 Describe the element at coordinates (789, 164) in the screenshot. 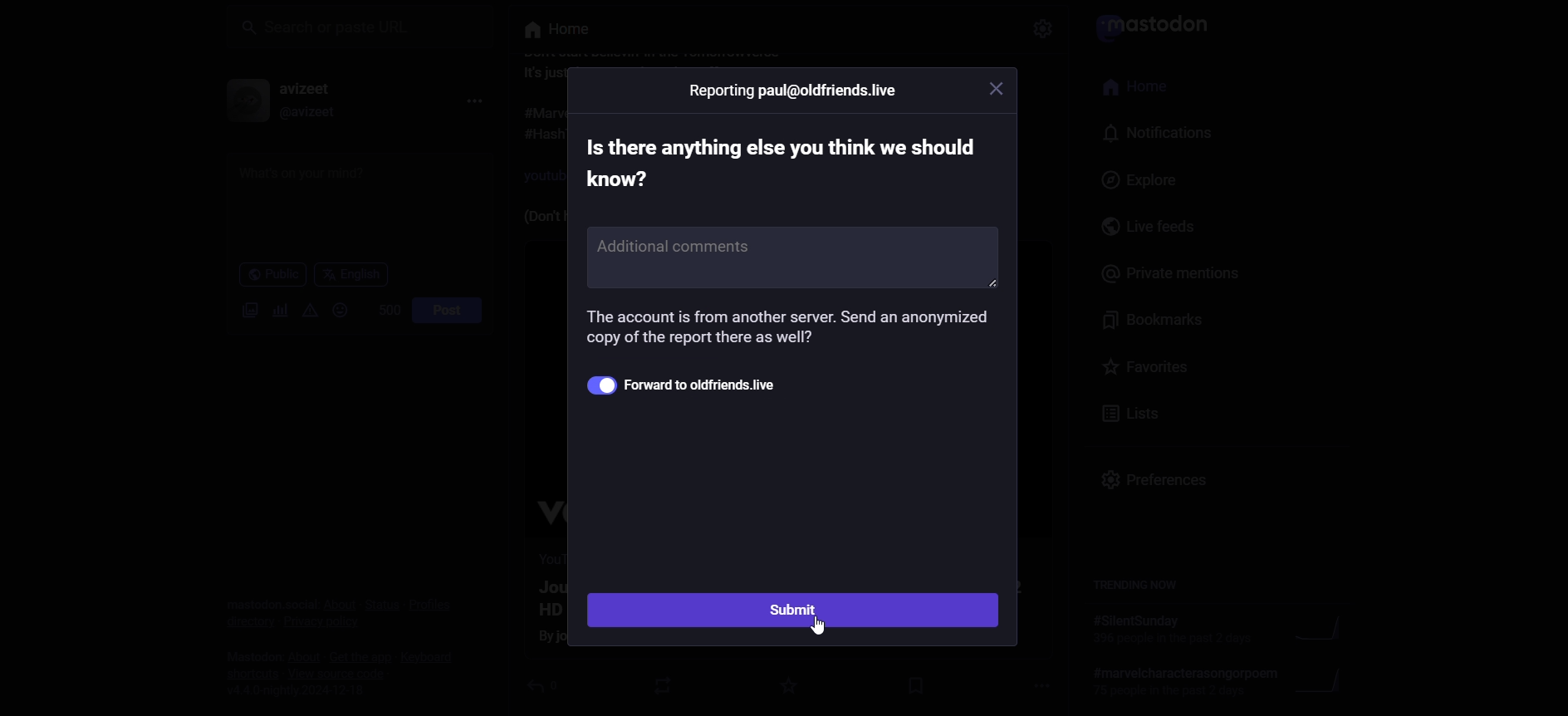

I see `text` at that location.